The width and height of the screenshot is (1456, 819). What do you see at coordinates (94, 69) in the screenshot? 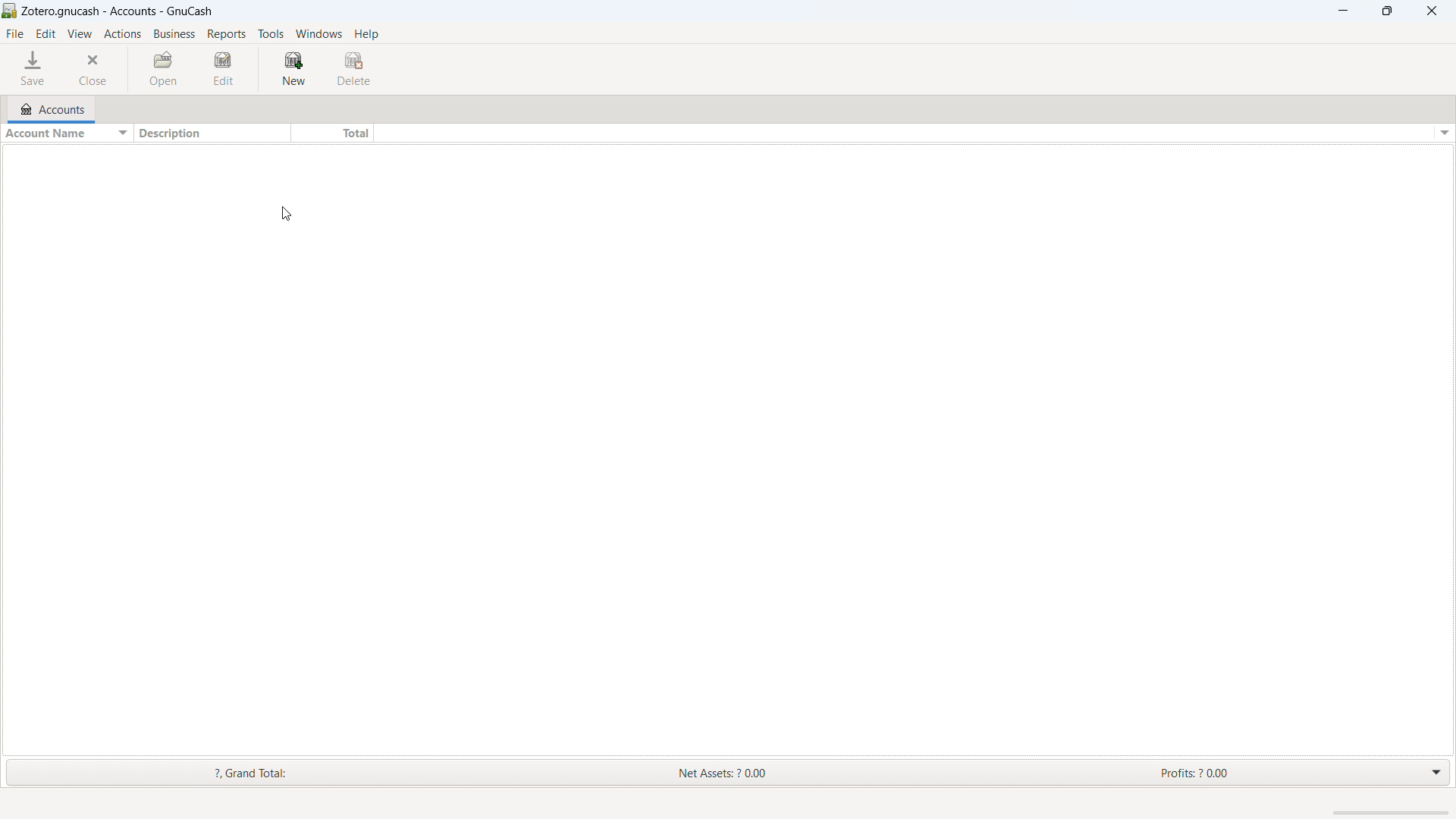
I see `close` at bounding box center [94, 69].